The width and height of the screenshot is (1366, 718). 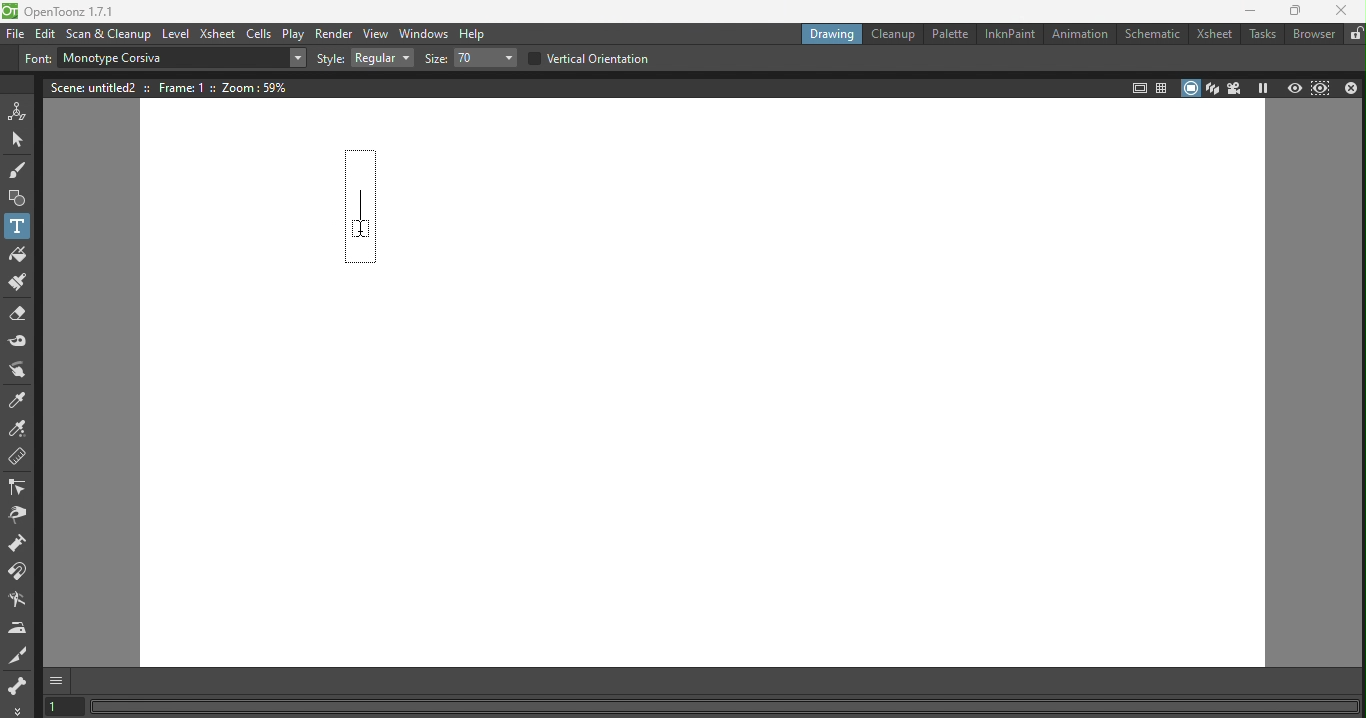 I want to click on GUI Show/hide, so click(x=57, y=679).